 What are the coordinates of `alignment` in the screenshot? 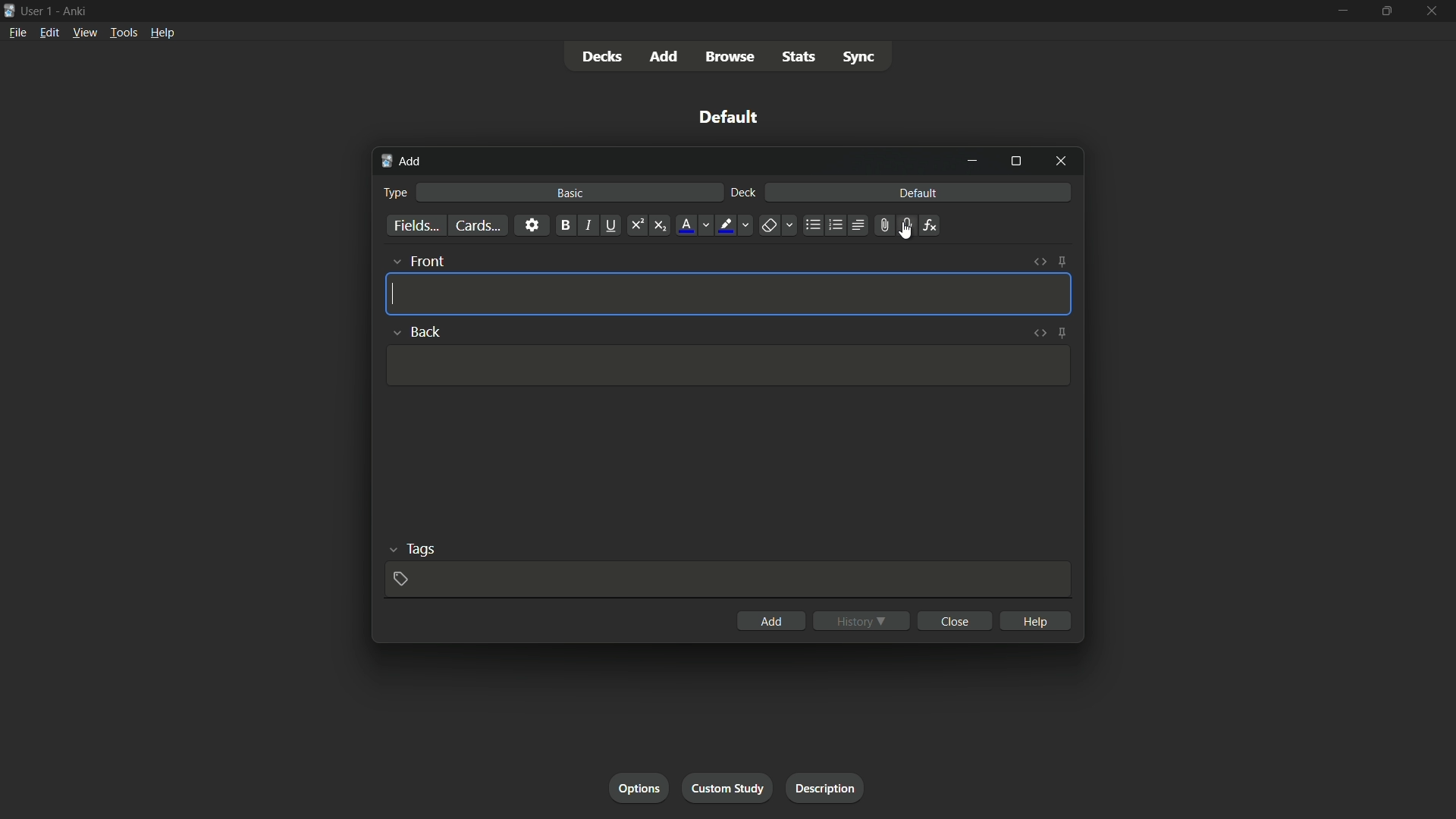 It's located at (858, 227).